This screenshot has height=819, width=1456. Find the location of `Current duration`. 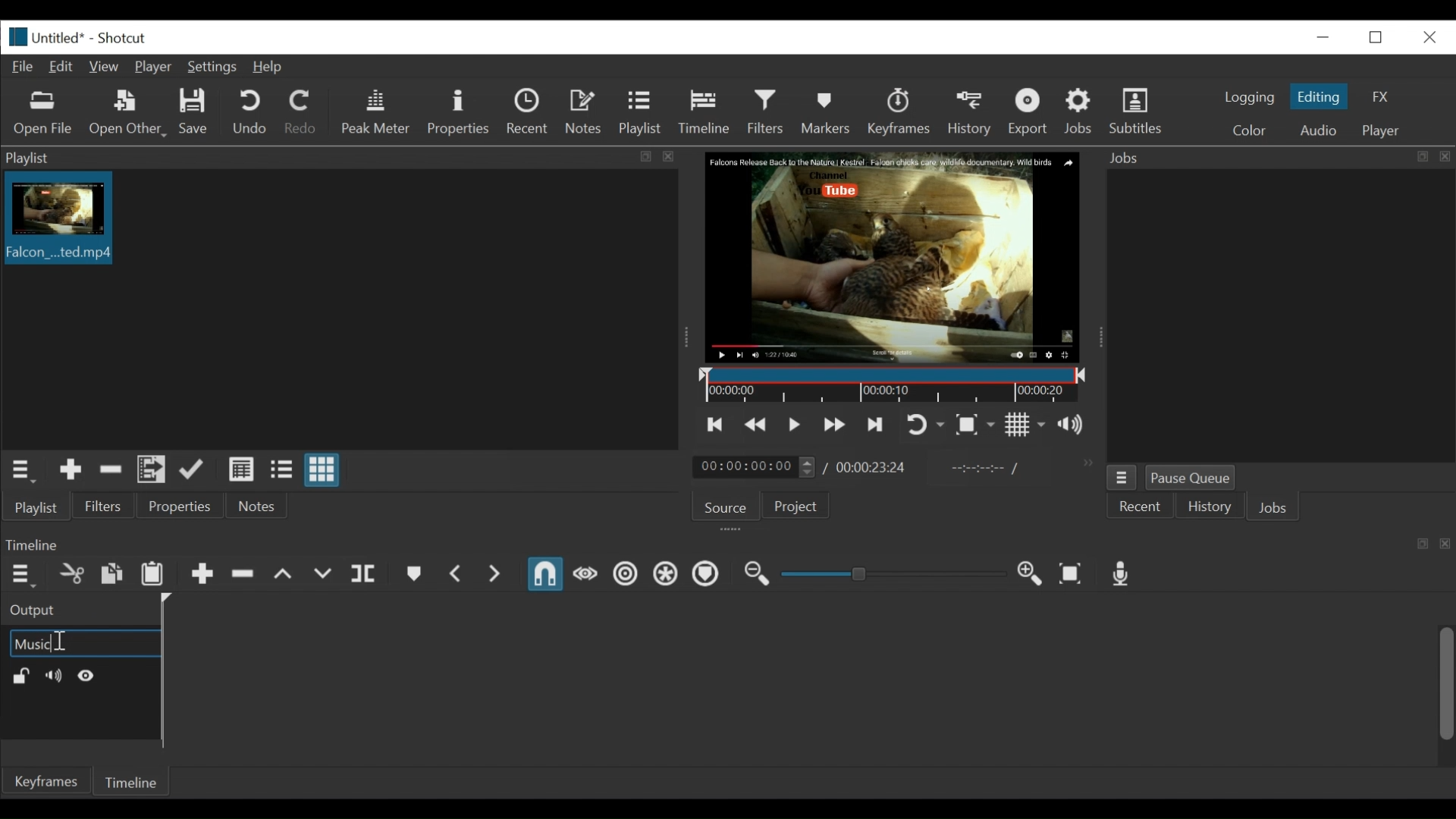

Current duration is located at coordinates (755, 468).